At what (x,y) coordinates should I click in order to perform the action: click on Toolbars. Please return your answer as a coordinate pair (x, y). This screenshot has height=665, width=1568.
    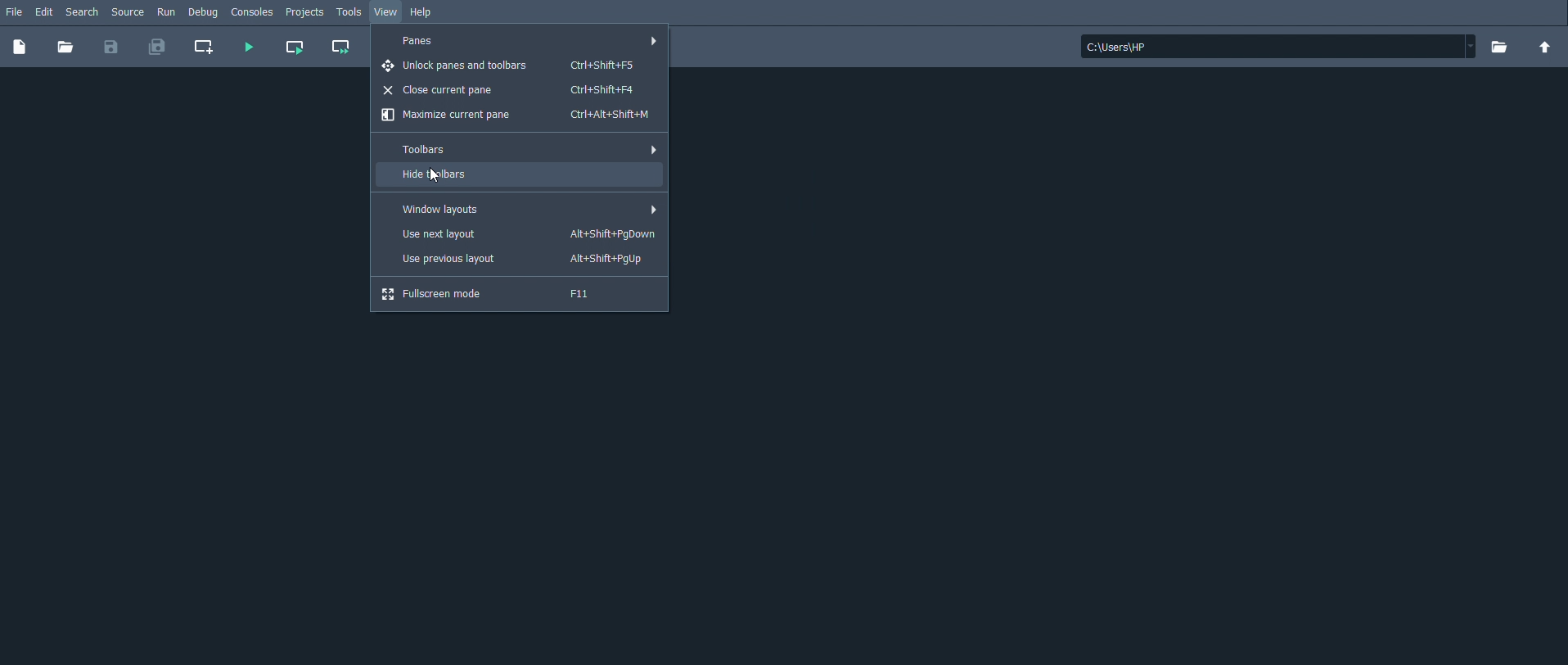
    Looking at the image, I should click on (520, 149).